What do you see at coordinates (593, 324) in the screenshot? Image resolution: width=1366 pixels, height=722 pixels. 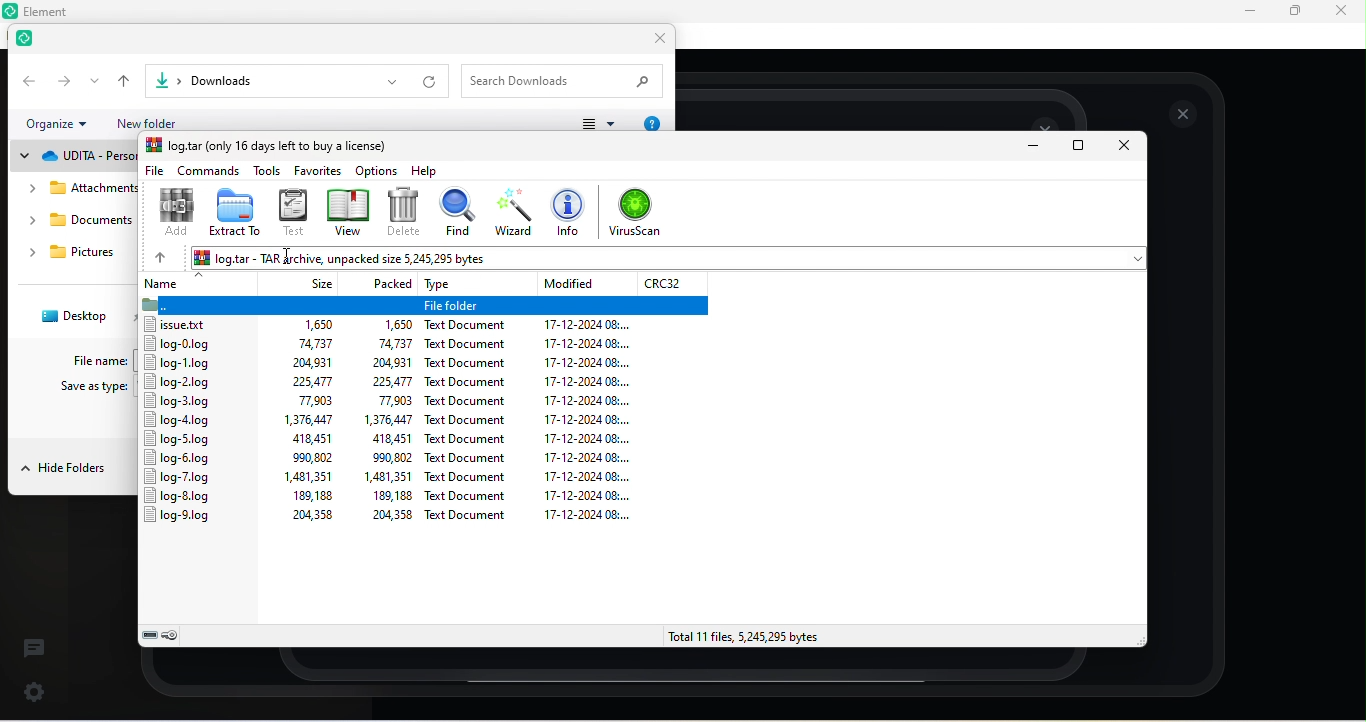 I see `17-12-2024 08:...` at bounding box center [593, 324].